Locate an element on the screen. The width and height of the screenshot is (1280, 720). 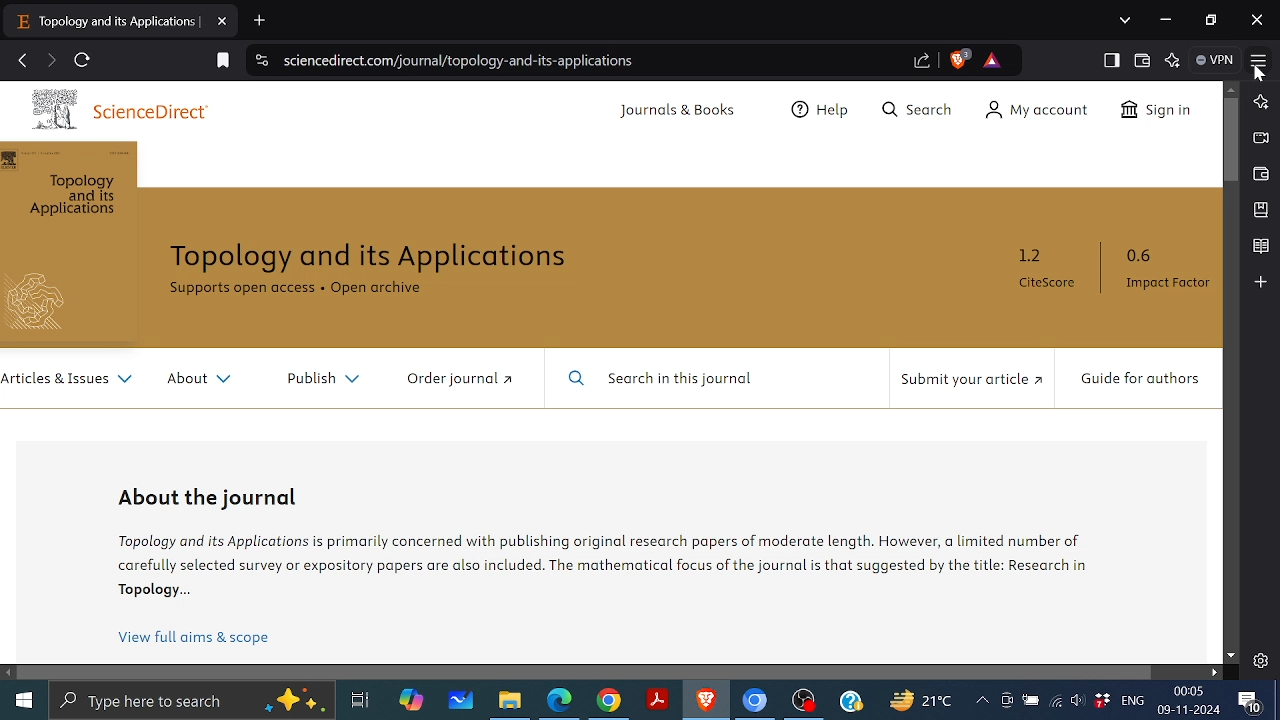
bookmark this page is located at coordinates (223, 60).